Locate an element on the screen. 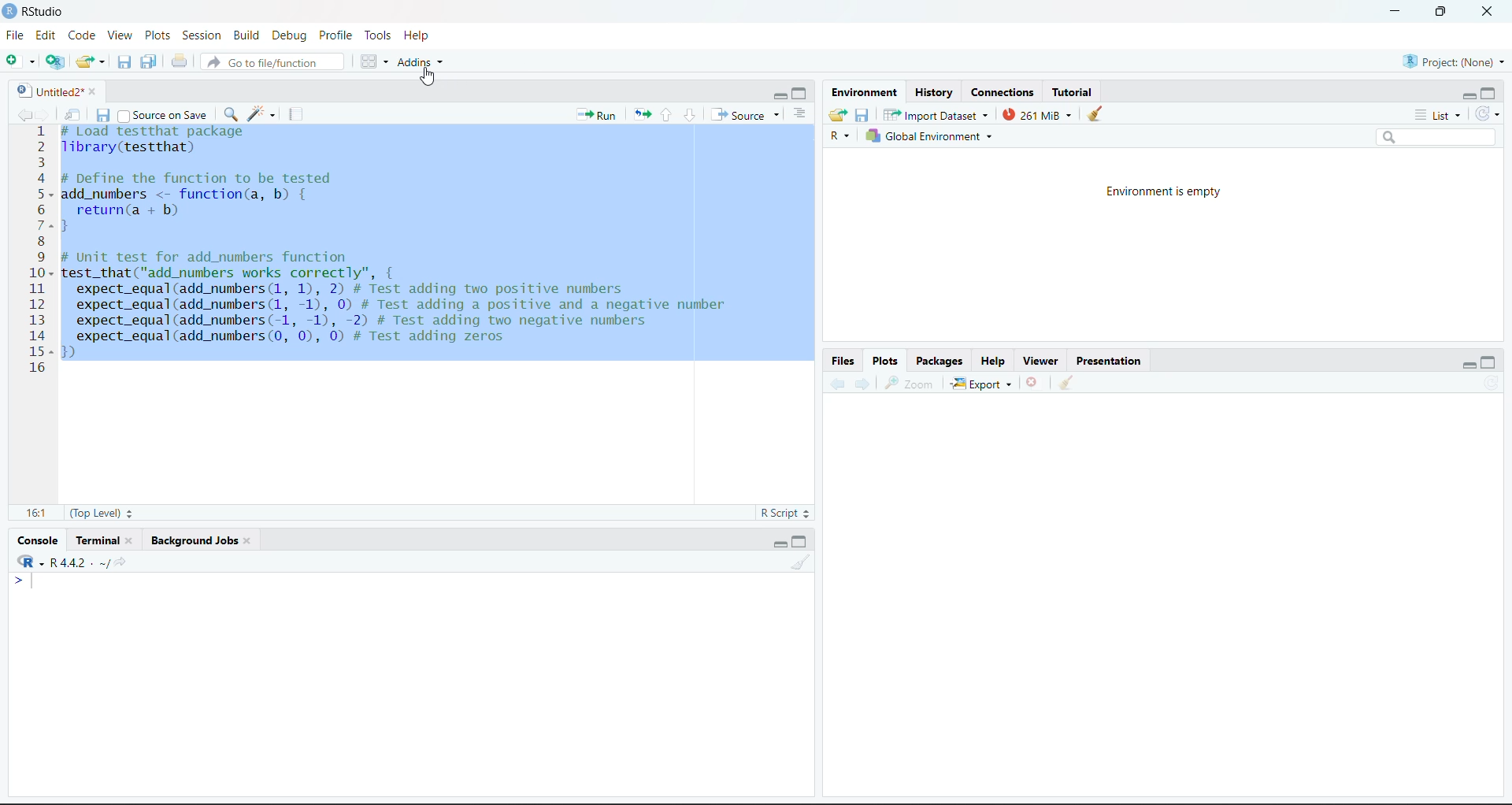  Refresh is located at coordinates (1485, 114).